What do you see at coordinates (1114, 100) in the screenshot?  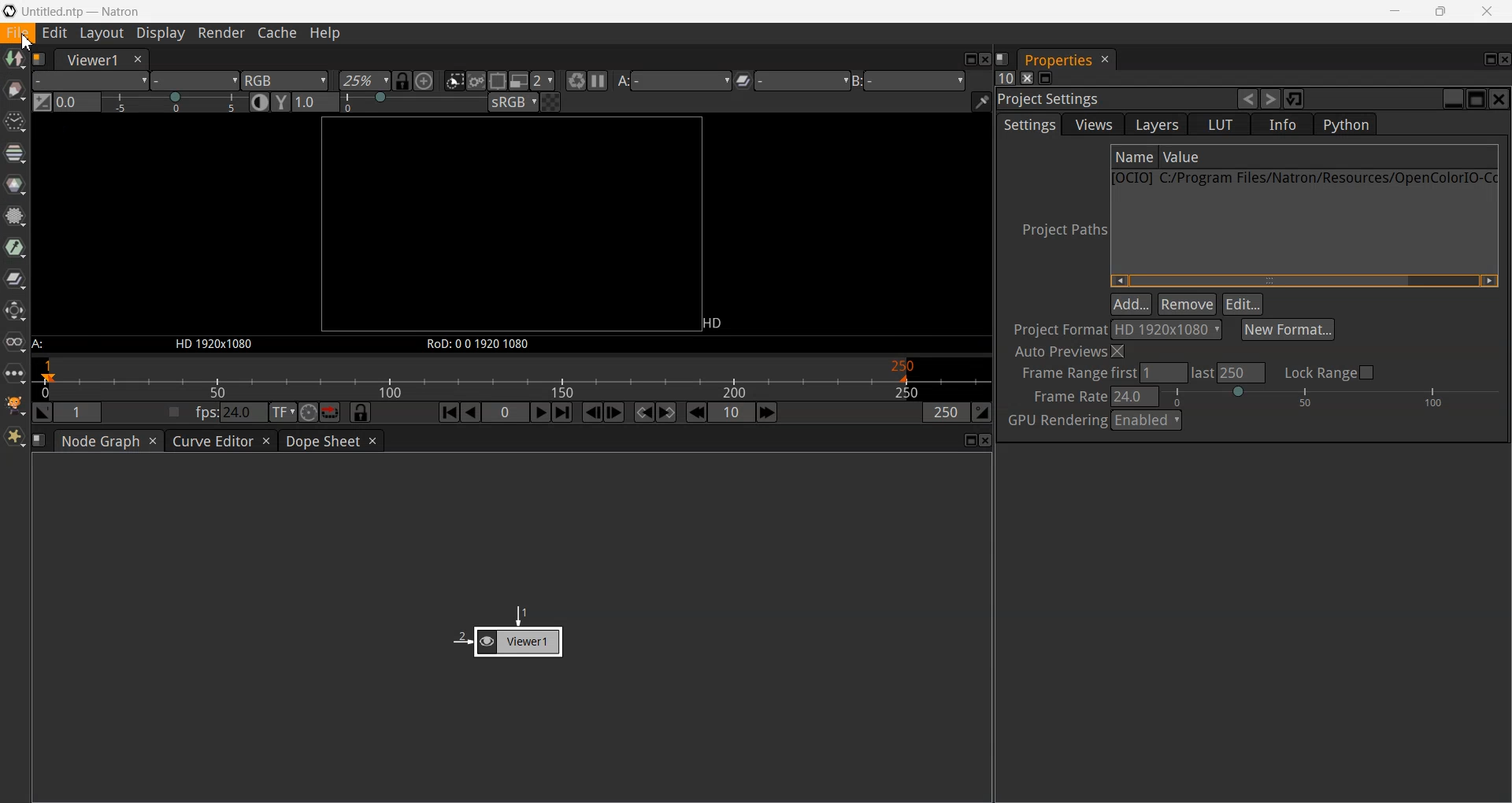 I see `Project setting` at bounding box center [1114, 100].